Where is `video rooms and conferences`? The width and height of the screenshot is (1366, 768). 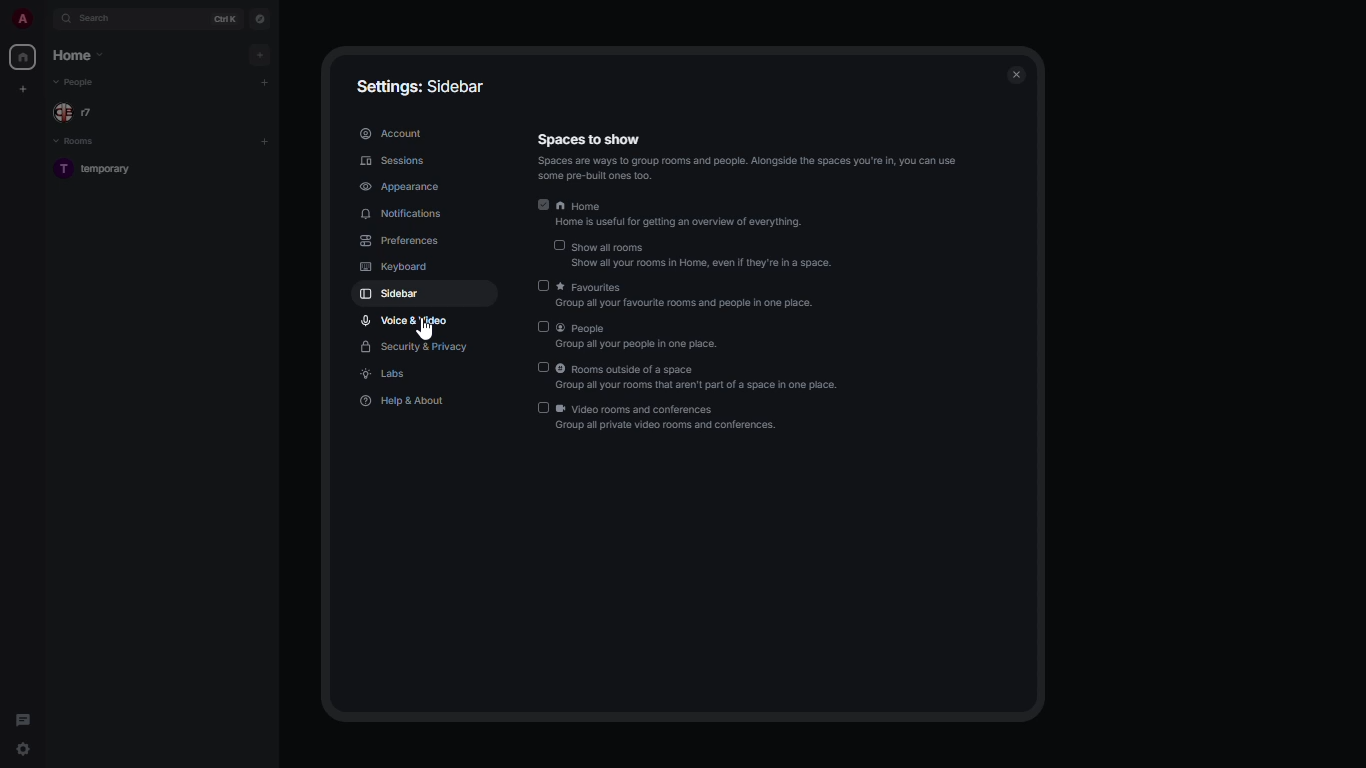
video rooms and conferences is located at coordinates (672, 419).